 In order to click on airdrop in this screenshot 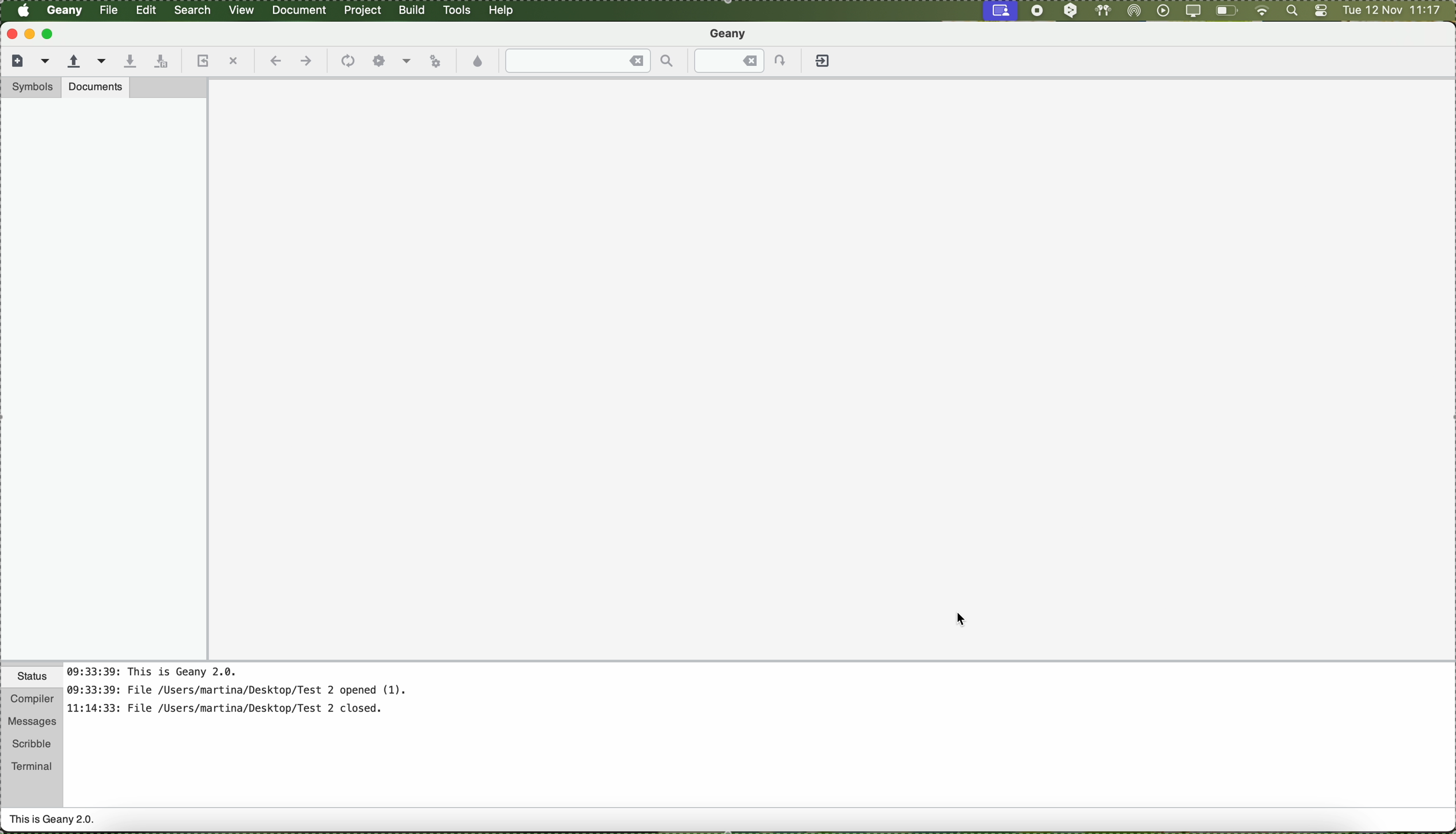, I will do `click(1134, 11)`.